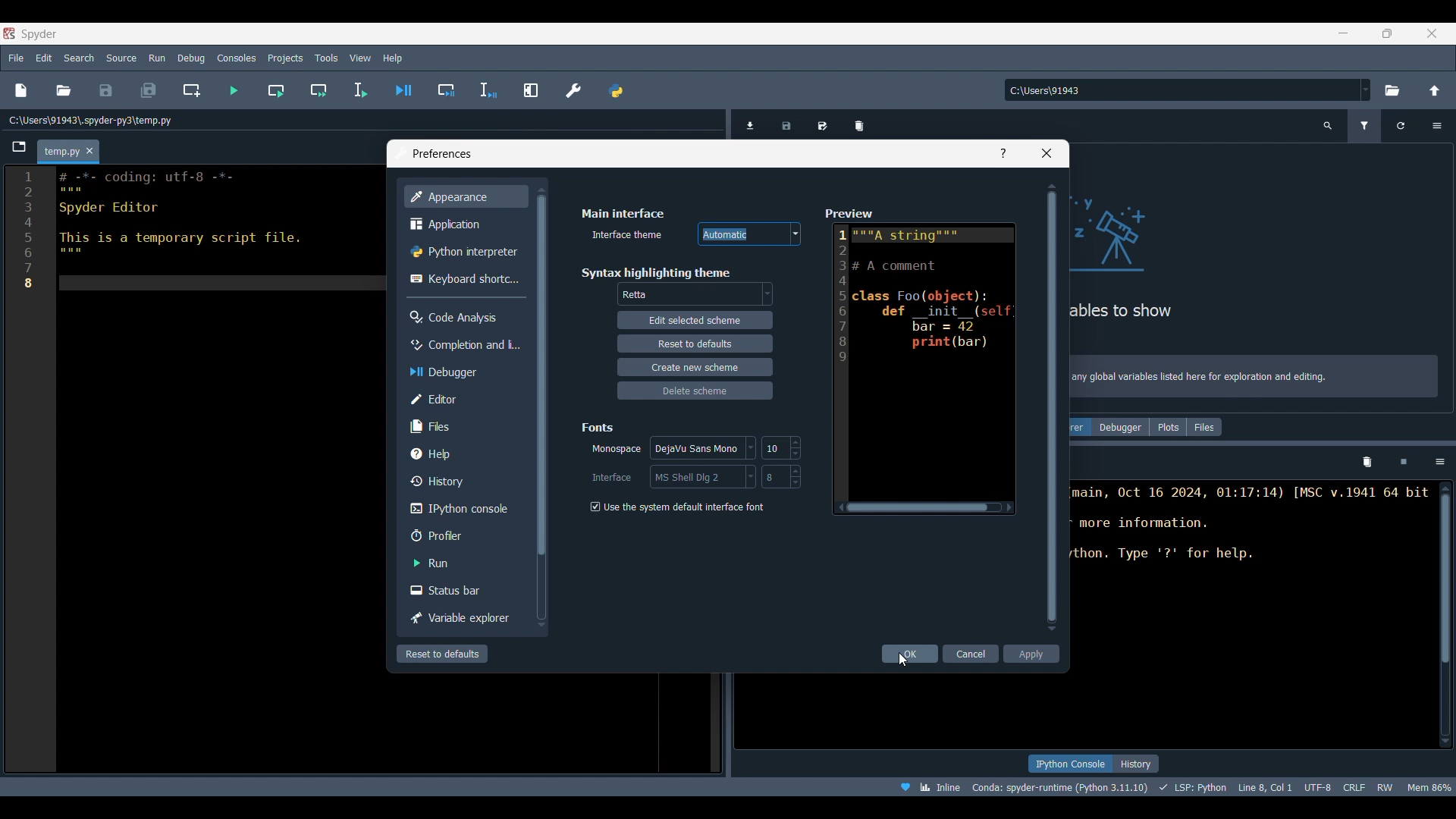  I want to click on Files, so click(1205, 427).